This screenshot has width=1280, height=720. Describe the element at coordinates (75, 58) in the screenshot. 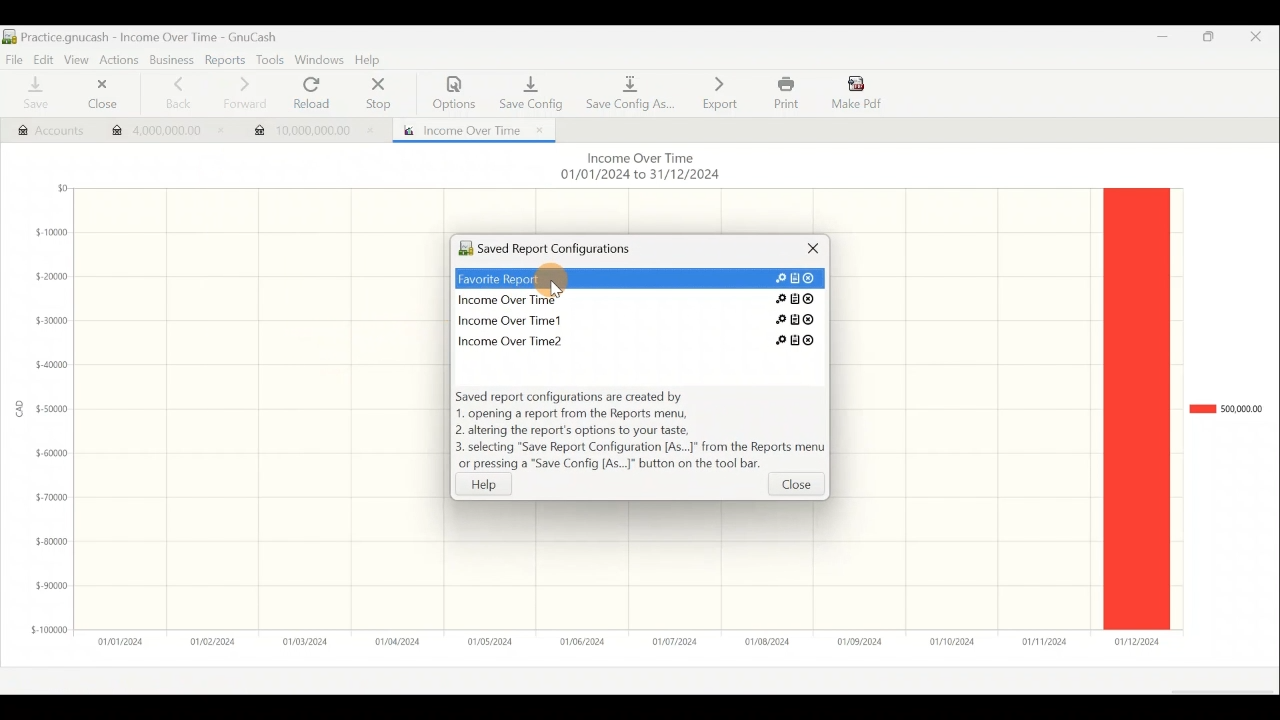

I see `View` at that location.